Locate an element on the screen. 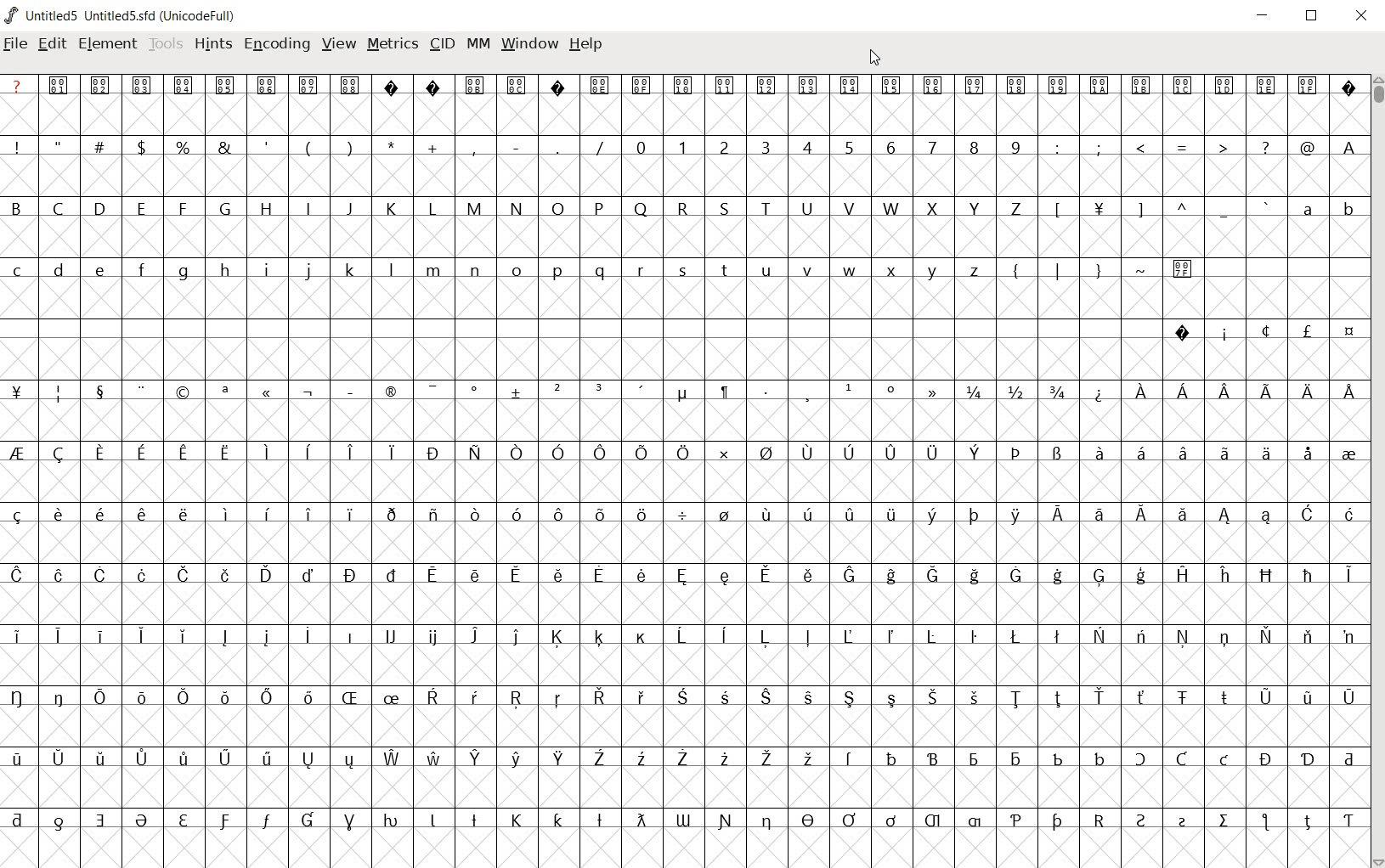 The width and height of the screenshot is (1385, 868). Symbol is located at coordinates (1225, 516).